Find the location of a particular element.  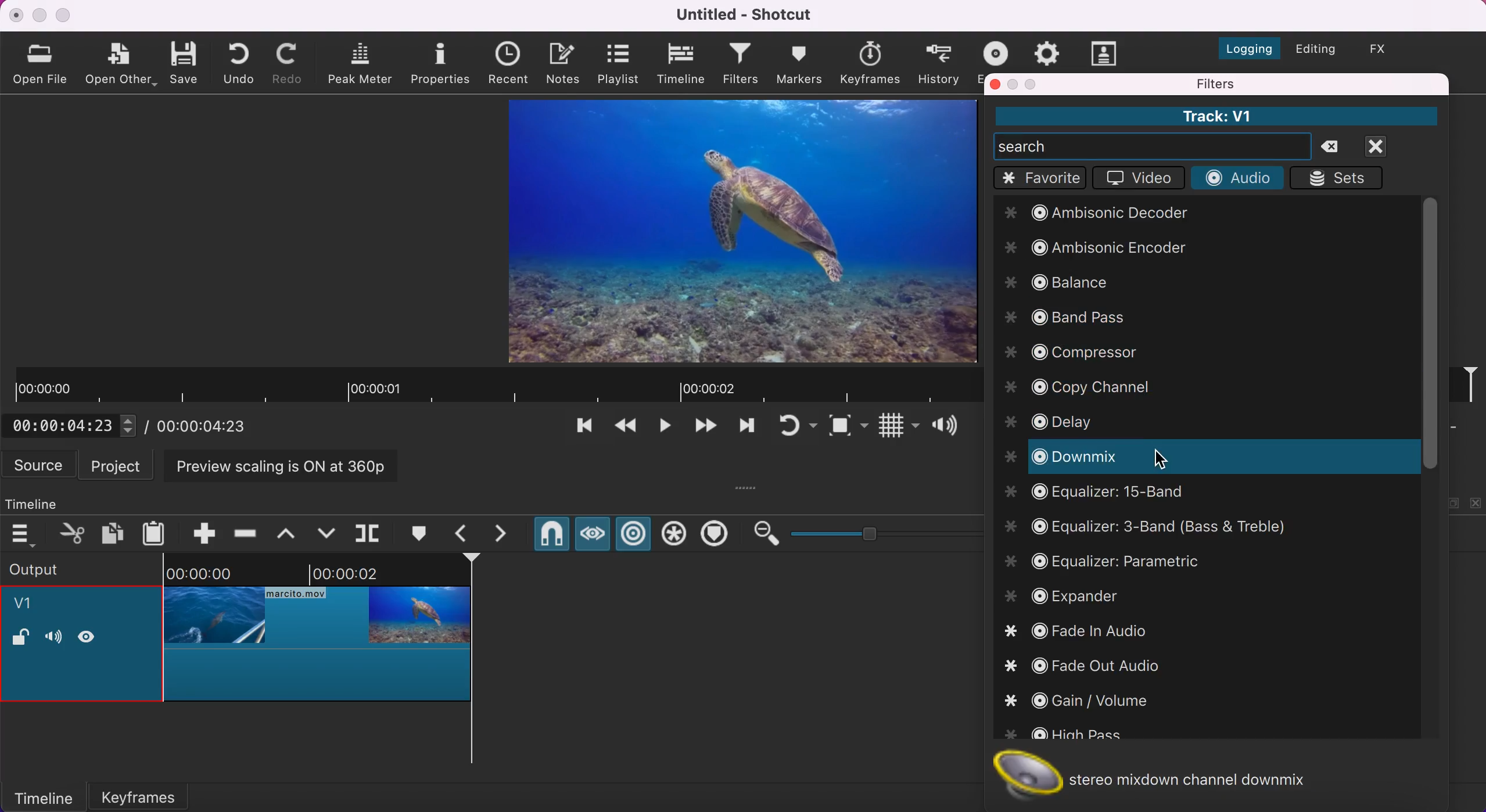

jobs is located at coordinates (1047, 51).